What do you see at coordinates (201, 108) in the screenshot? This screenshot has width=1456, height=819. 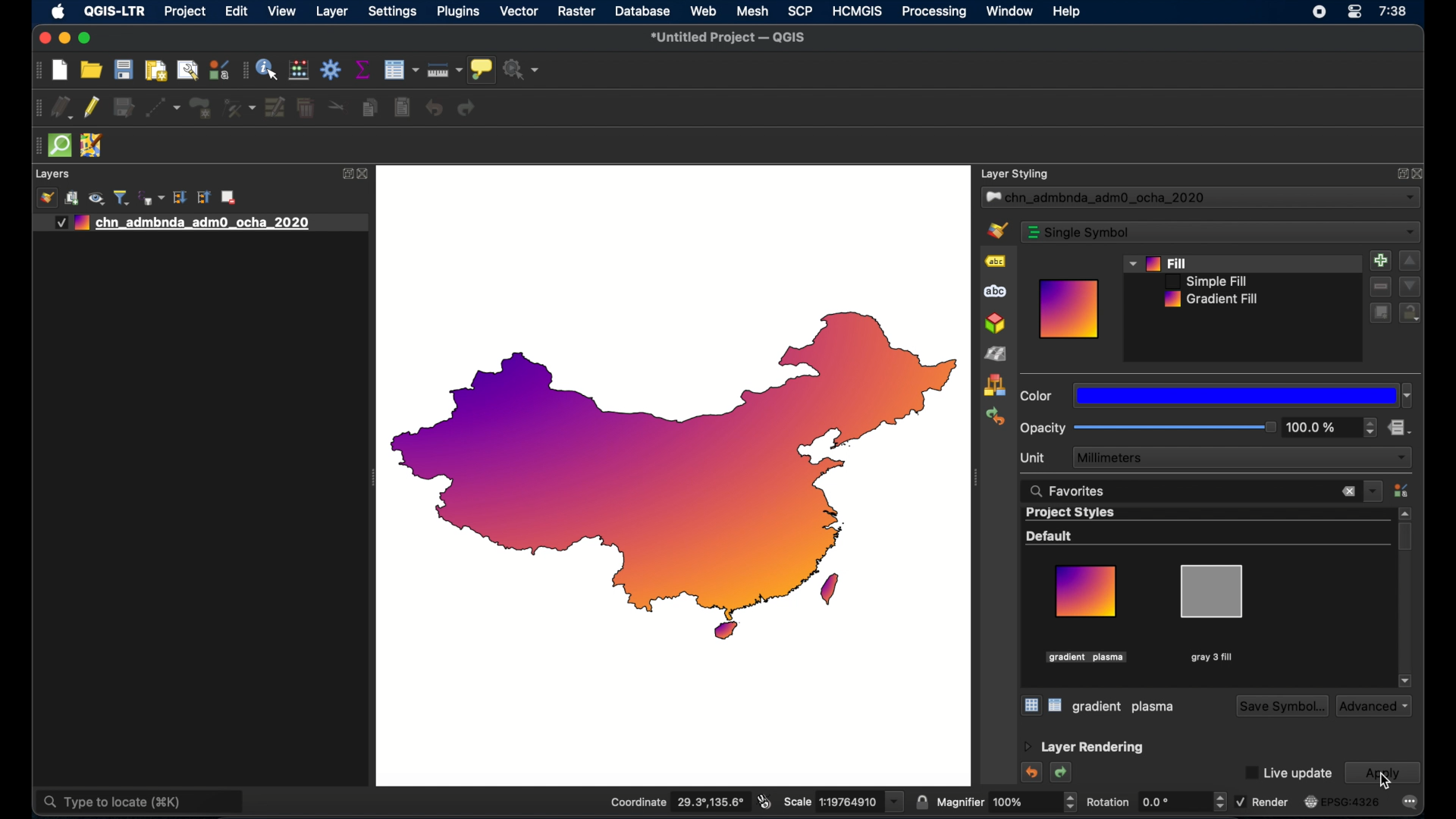 I see `polygon feature` at bounding box center [201, 108].